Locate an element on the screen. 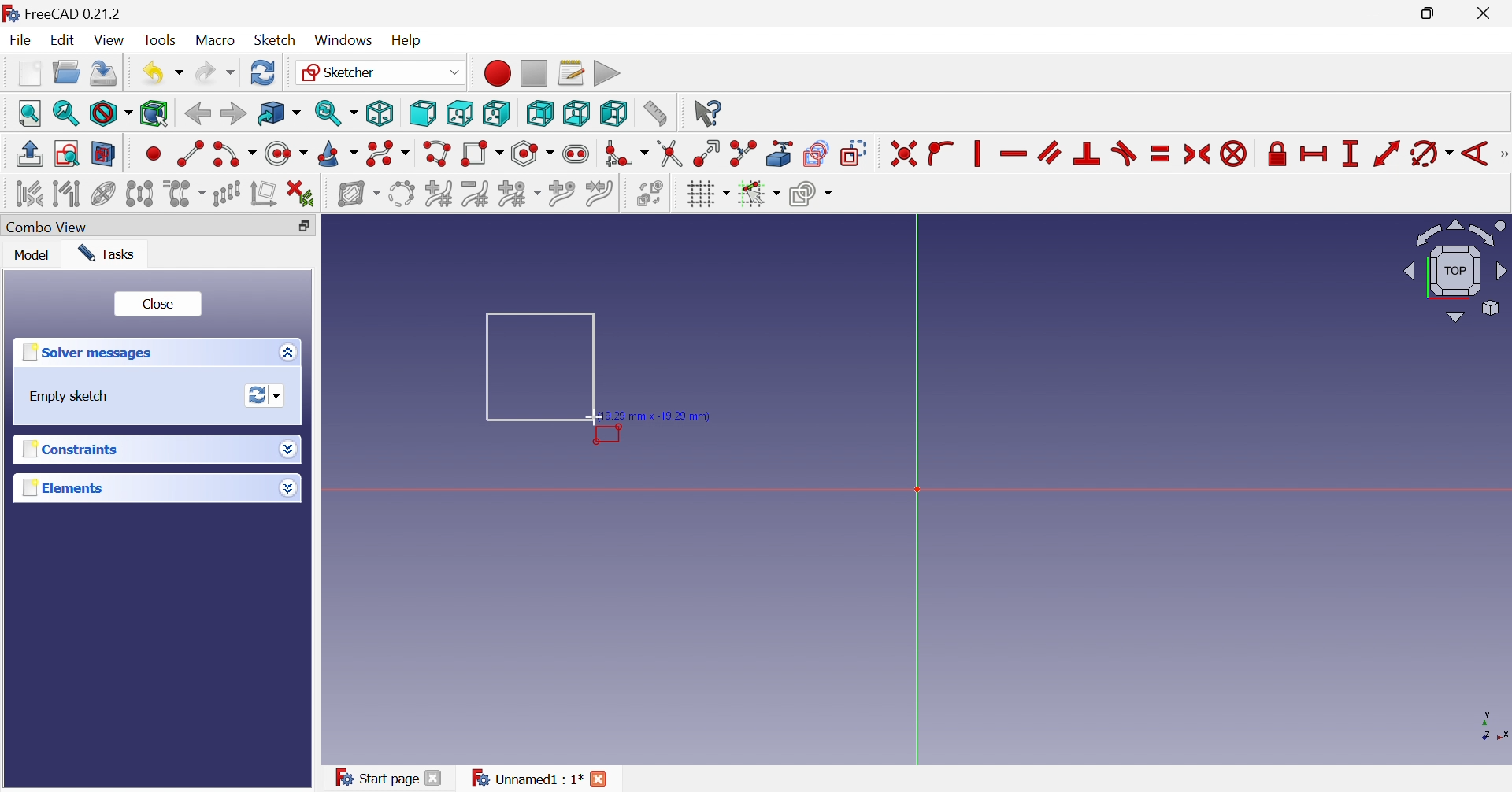  Right is located at coordinates (495, 113).